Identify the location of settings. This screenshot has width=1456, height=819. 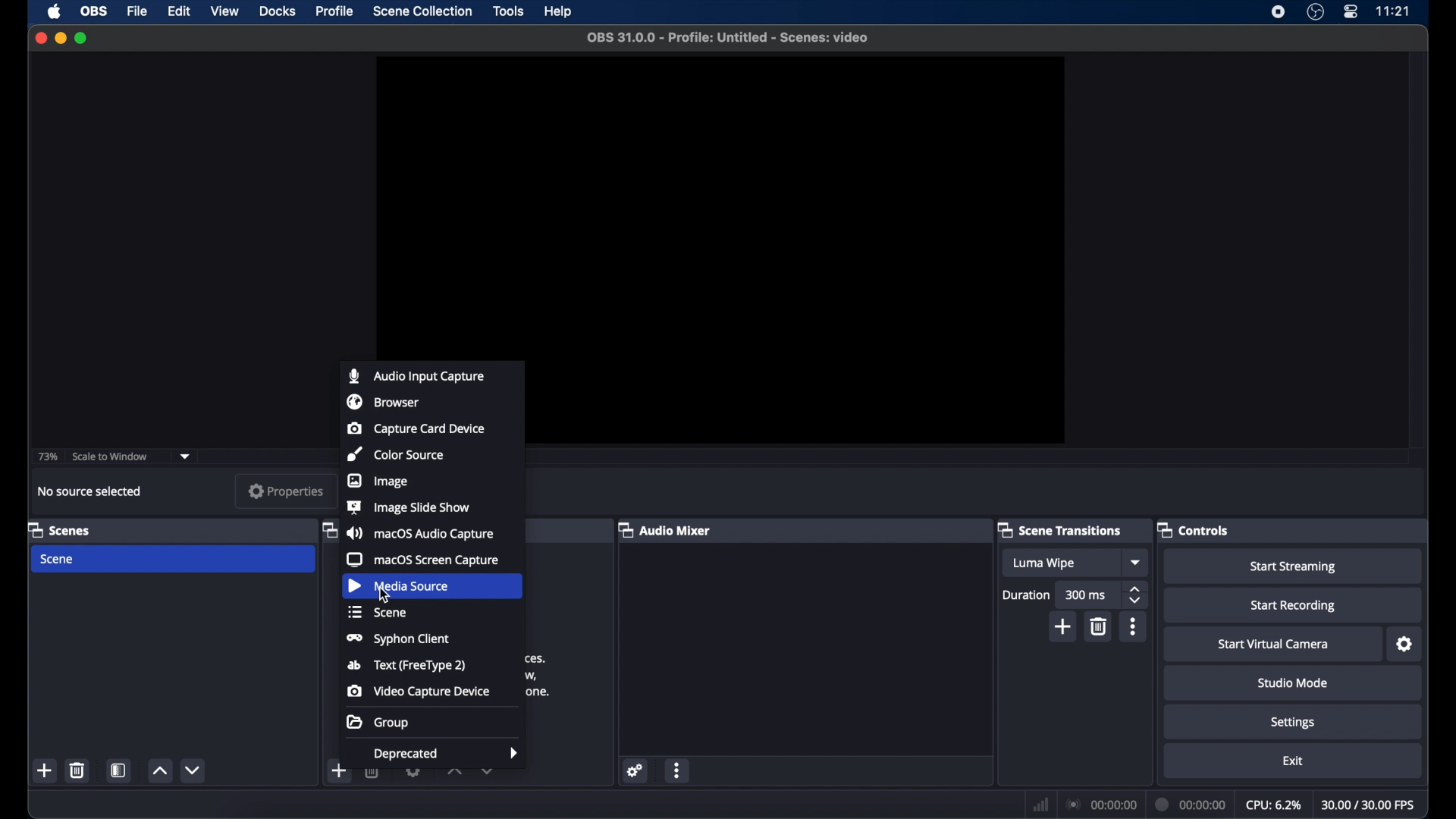
(635, 770).